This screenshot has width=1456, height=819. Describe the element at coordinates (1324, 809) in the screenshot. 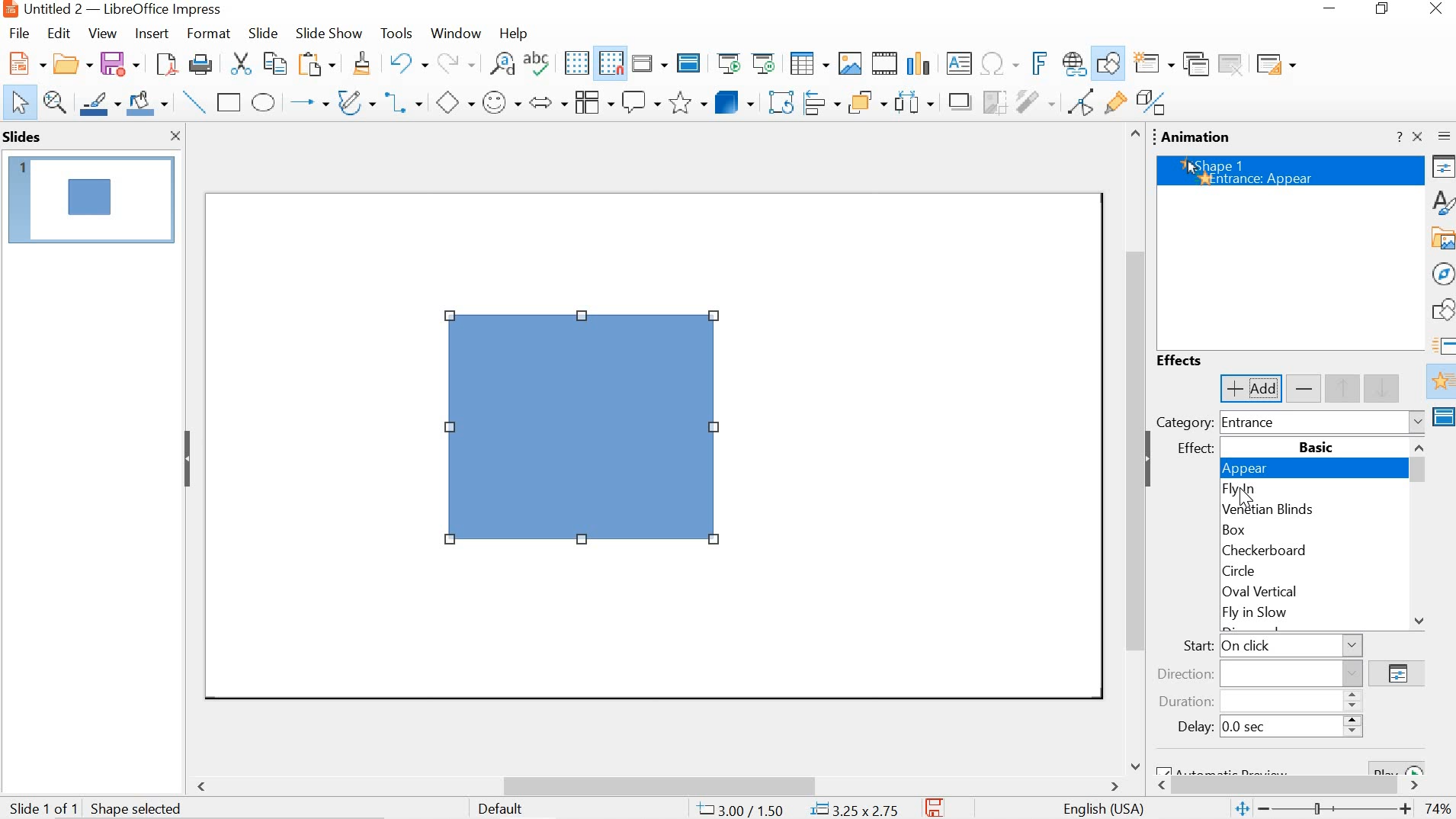

I see `zoom out or zoom in` at that location.